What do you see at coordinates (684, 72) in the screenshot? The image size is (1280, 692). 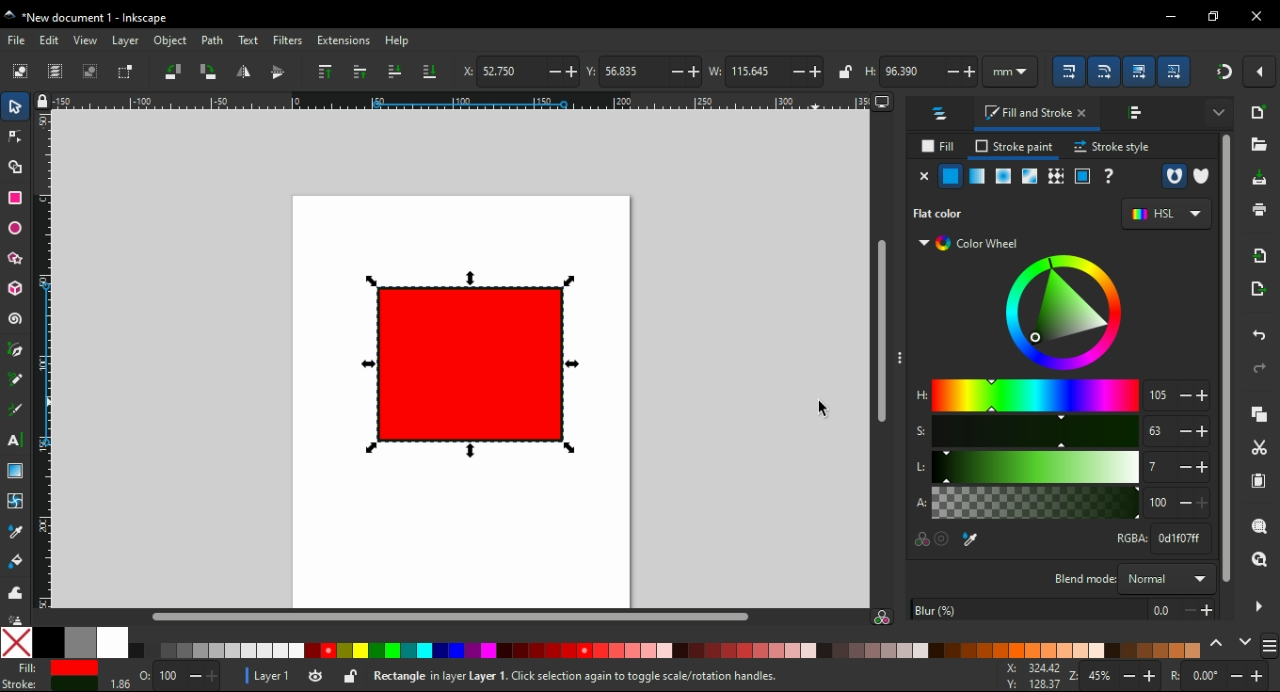 I see `increase/decrease` at bounding box center [684, 72].